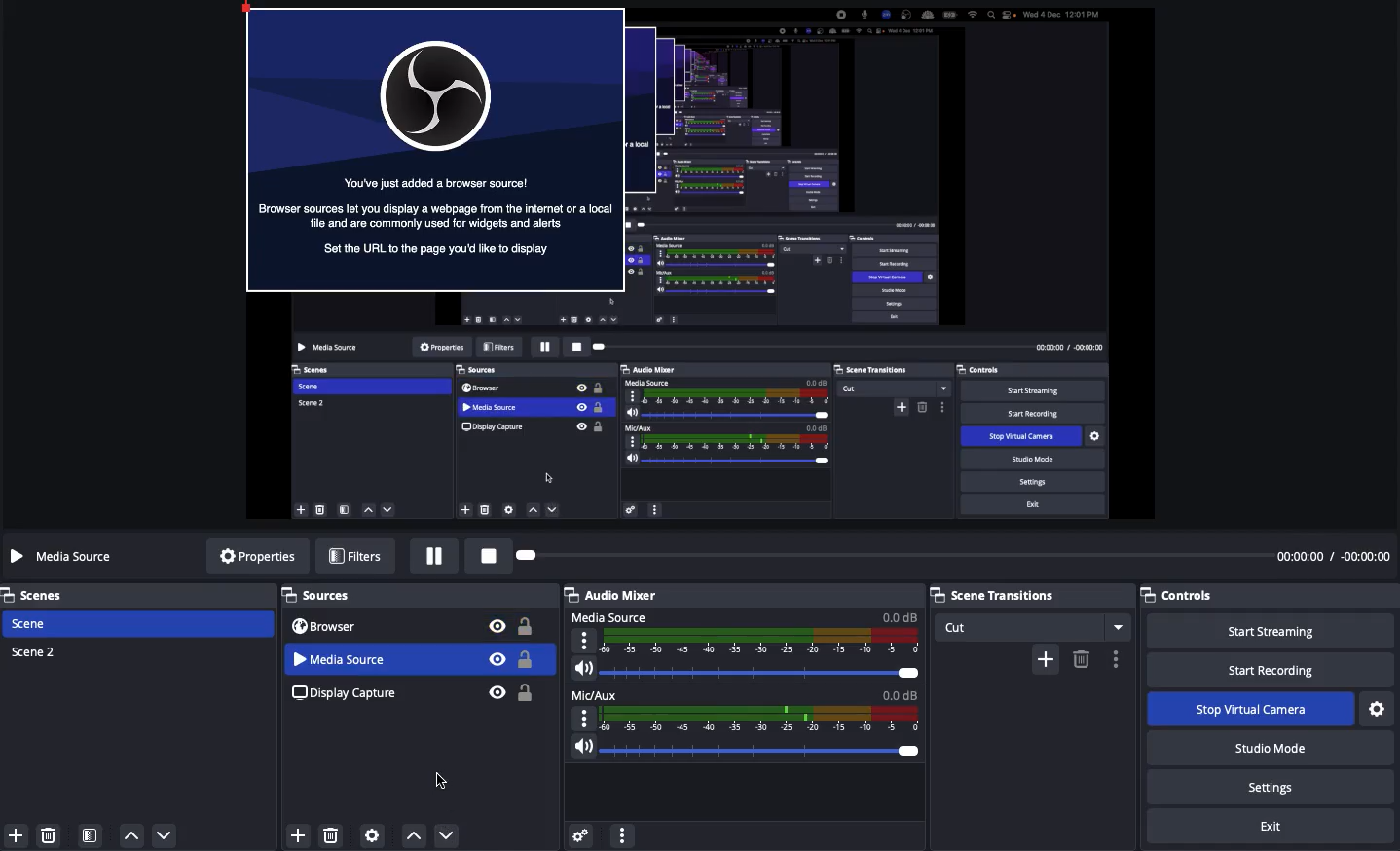 The width and height of the screenshot is (1400, 851). What do you see at coordinates (1270, 788) in the screenshot?
I see `Settings` at bounding box center [1270, 788].